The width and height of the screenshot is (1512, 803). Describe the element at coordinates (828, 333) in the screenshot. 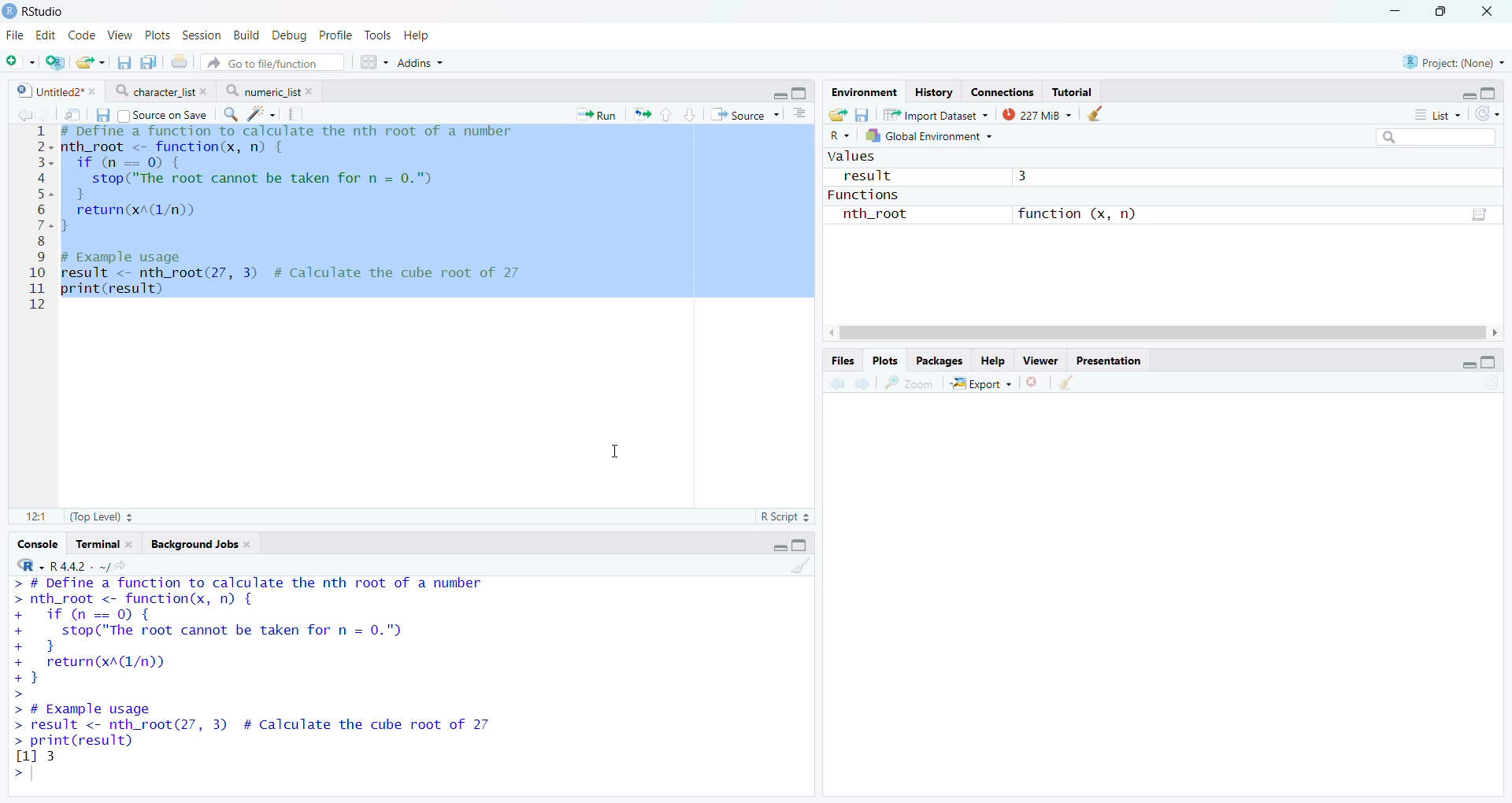

I see `Scroll Left` at that location.